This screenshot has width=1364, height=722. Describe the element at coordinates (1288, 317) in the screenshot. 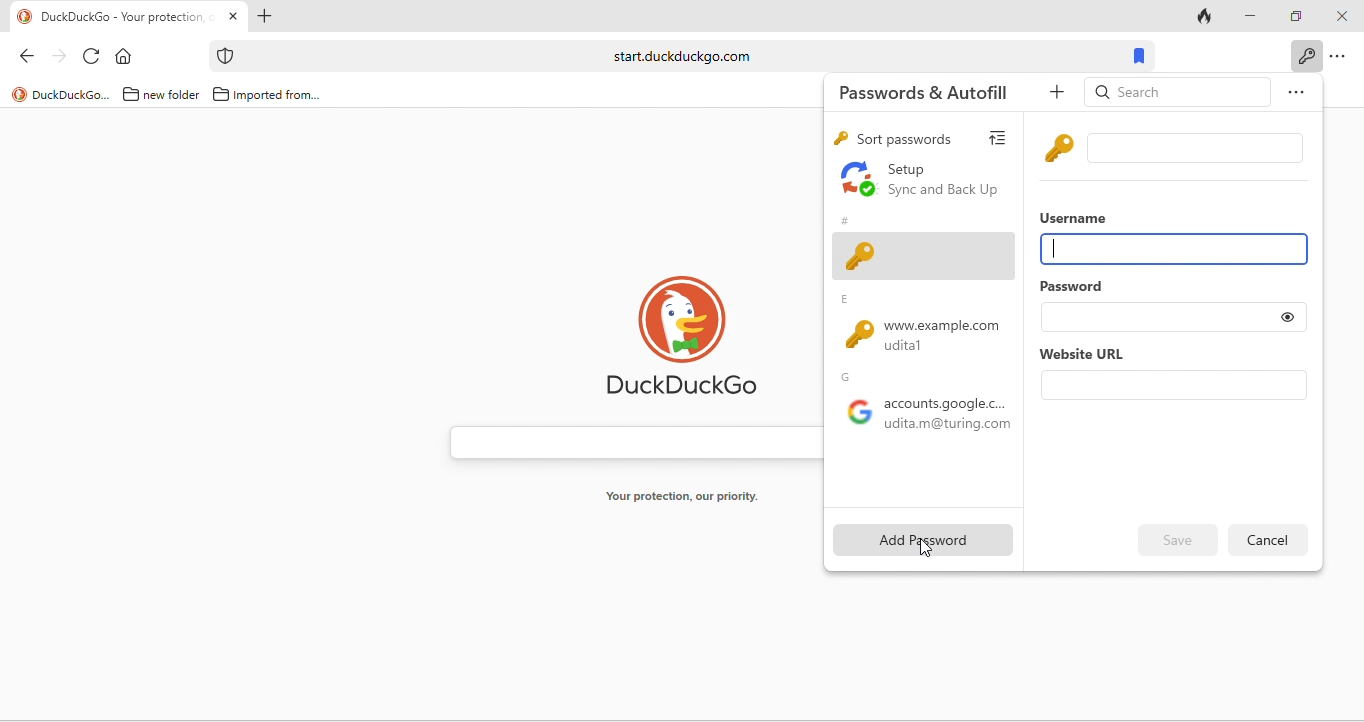

I see `toggle show or hide password` at that location.